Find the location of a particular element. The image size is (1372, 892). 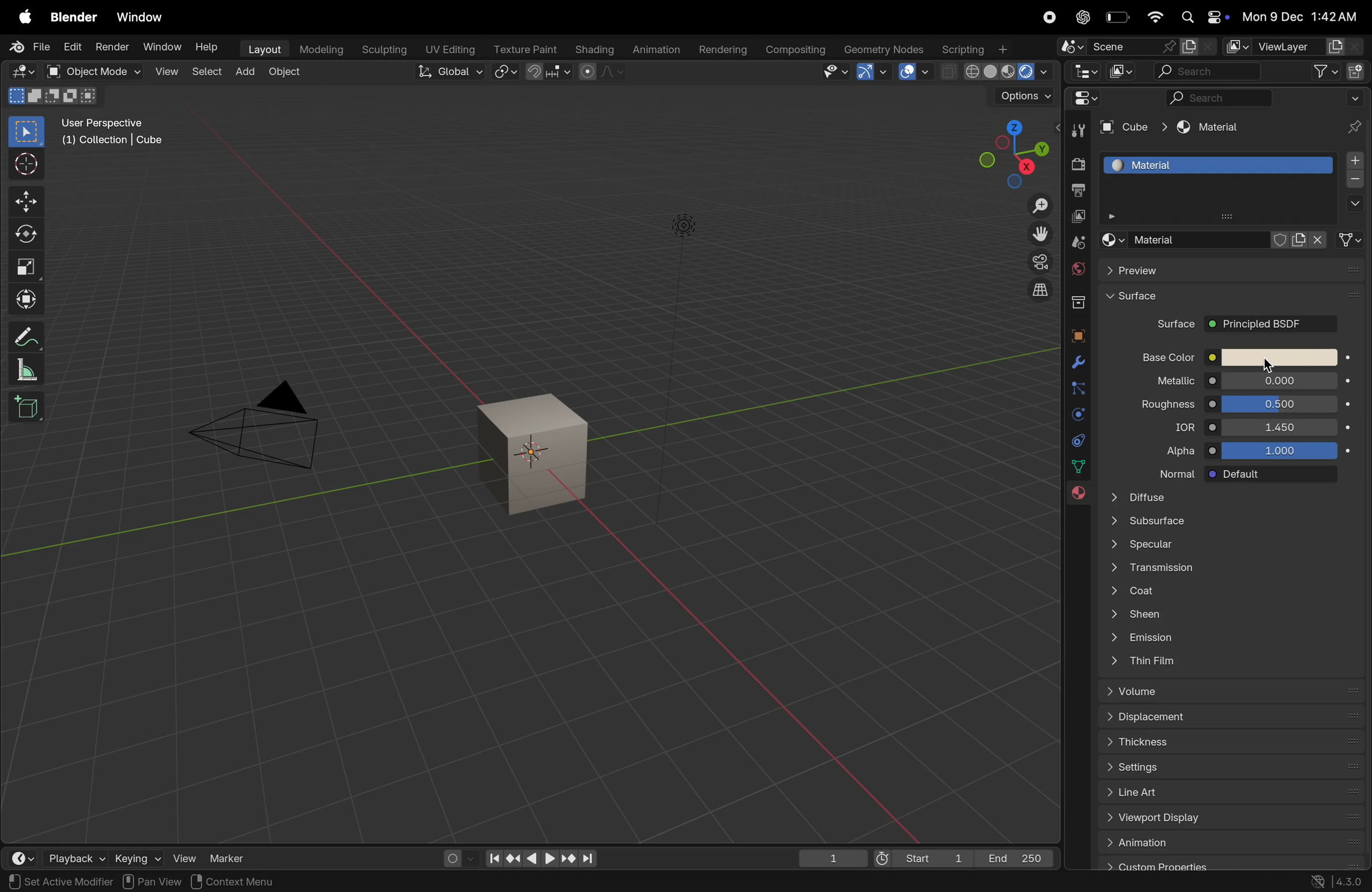

Texture paint is located at coordinates (527, 49).